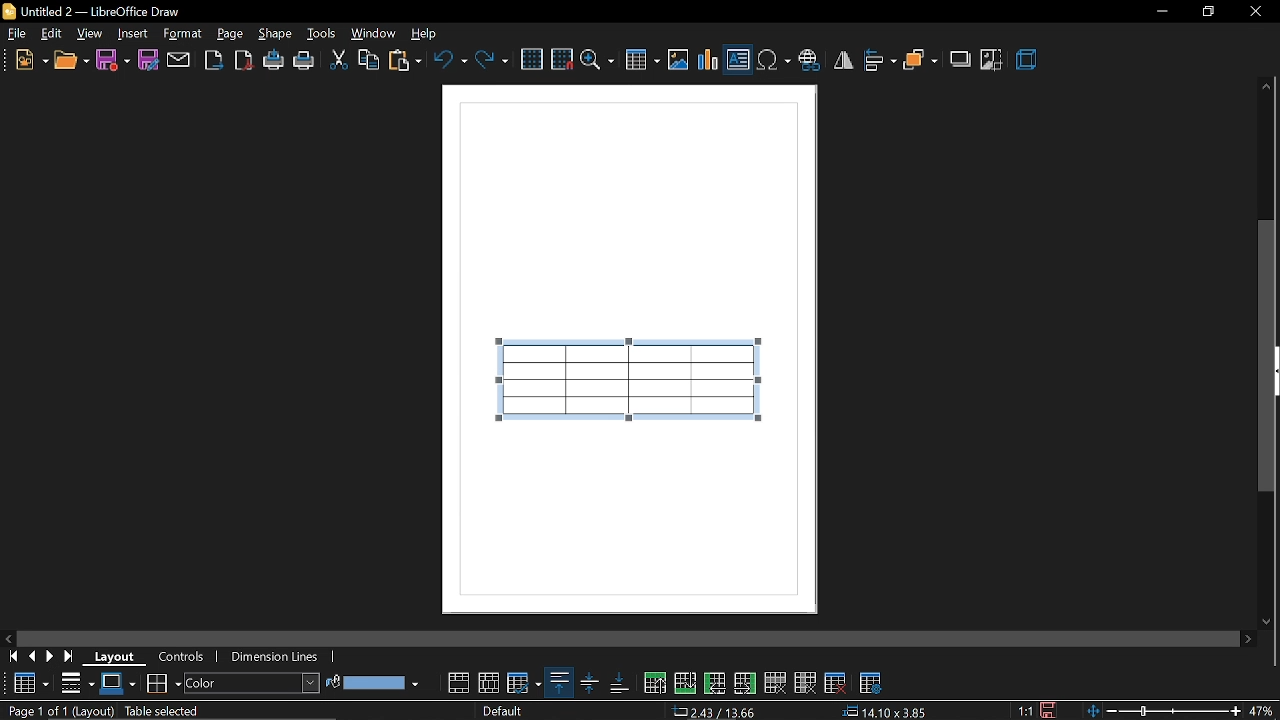 The height and width of the screenshot is (720, 1280). Describe the element at coordinates (406, 60) in the screenshot. I see `paste` at that location.